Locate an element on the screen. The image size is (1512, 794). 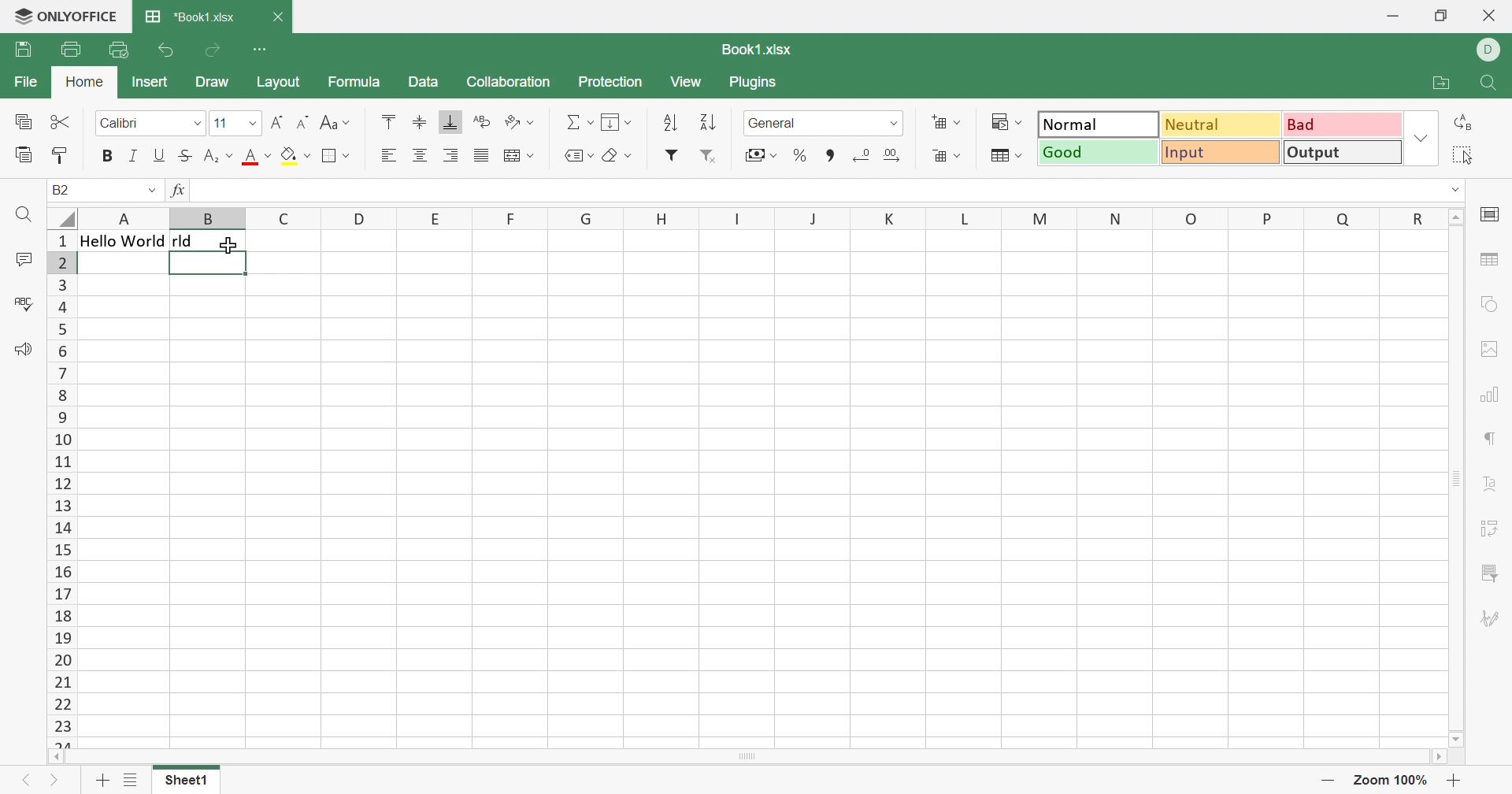
Borders is located at coordinates (336, 155).